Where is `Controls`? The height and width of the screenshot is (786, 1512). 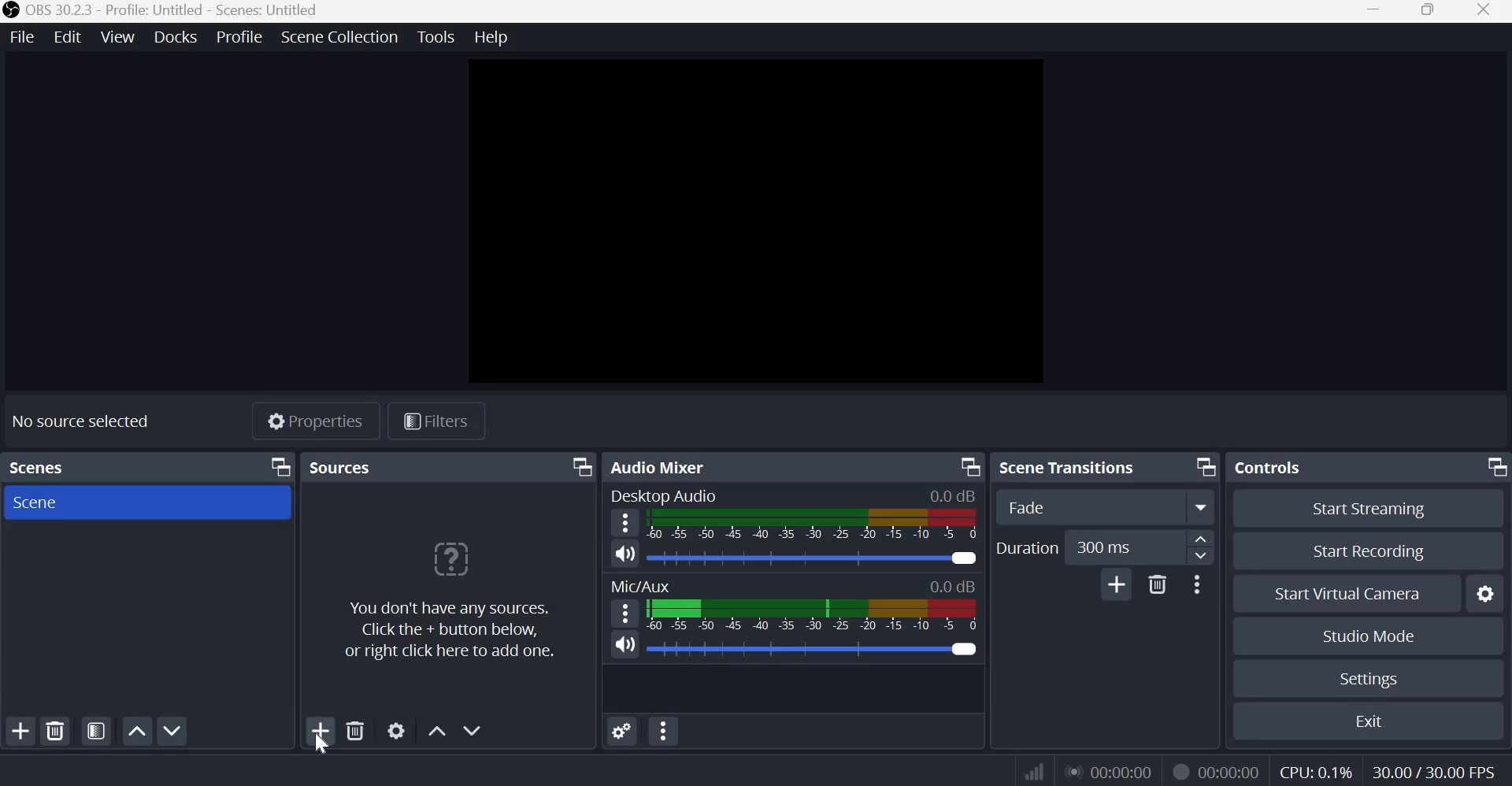 Controls is located at coordinates (1269, 468).